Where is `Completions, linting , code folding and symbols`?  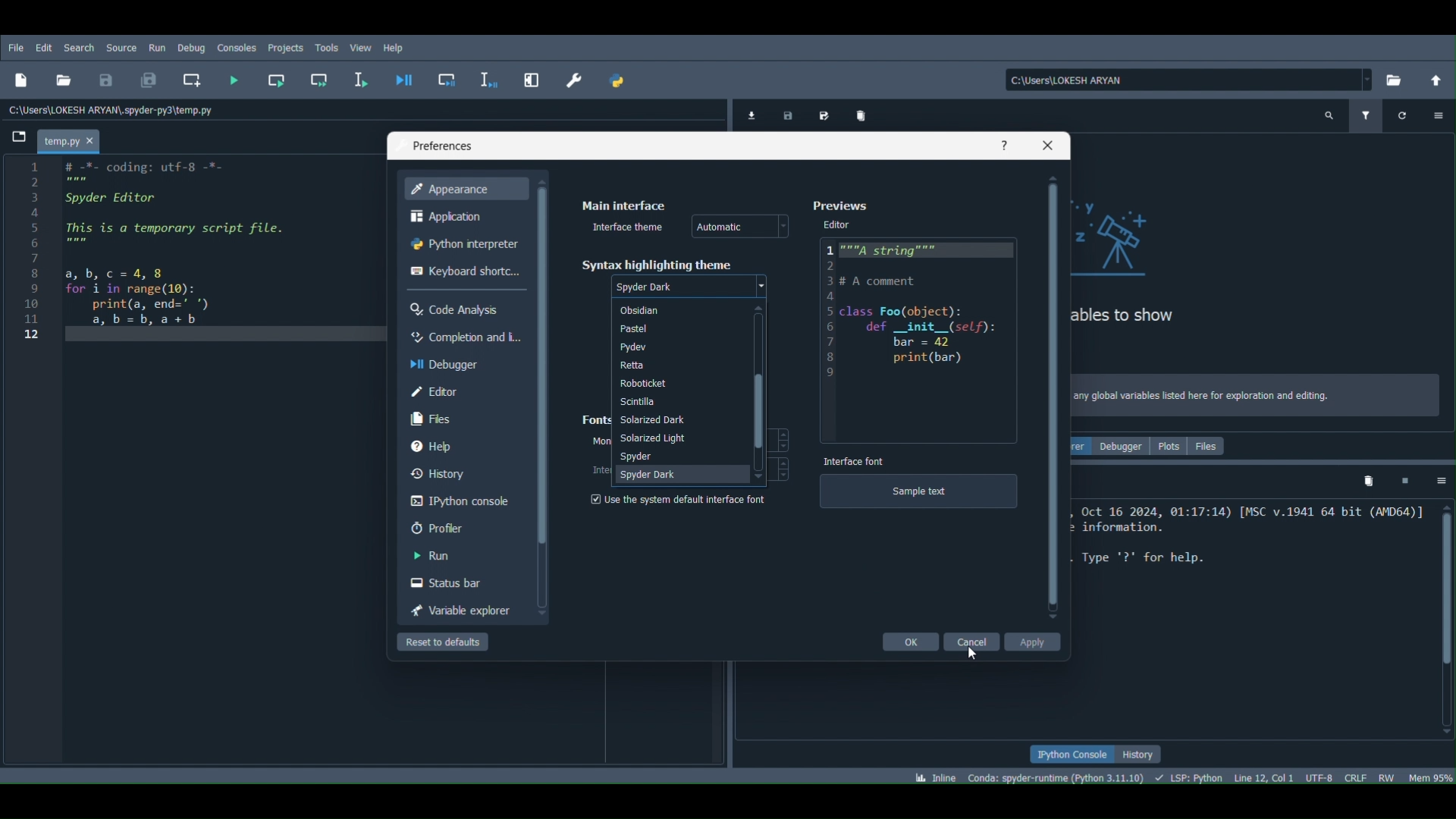 Completions, linting , code folding and symbols is located at coordinates (1192, 777).